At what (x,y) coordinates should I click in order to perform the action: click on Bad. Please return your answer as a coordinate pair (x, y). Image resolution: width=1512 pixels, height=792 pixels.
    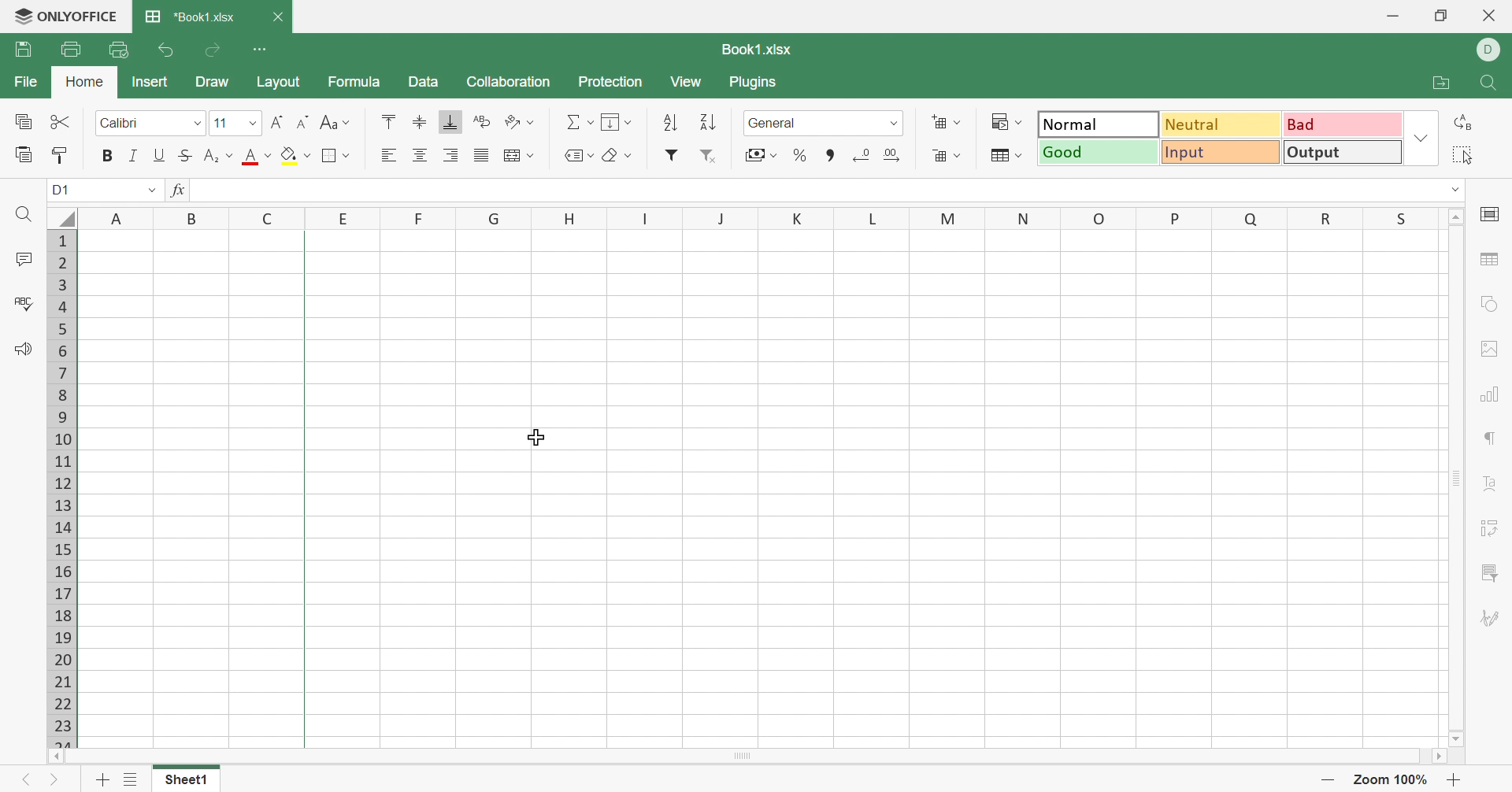
    Looking at the image, I should click on (1346, 125).